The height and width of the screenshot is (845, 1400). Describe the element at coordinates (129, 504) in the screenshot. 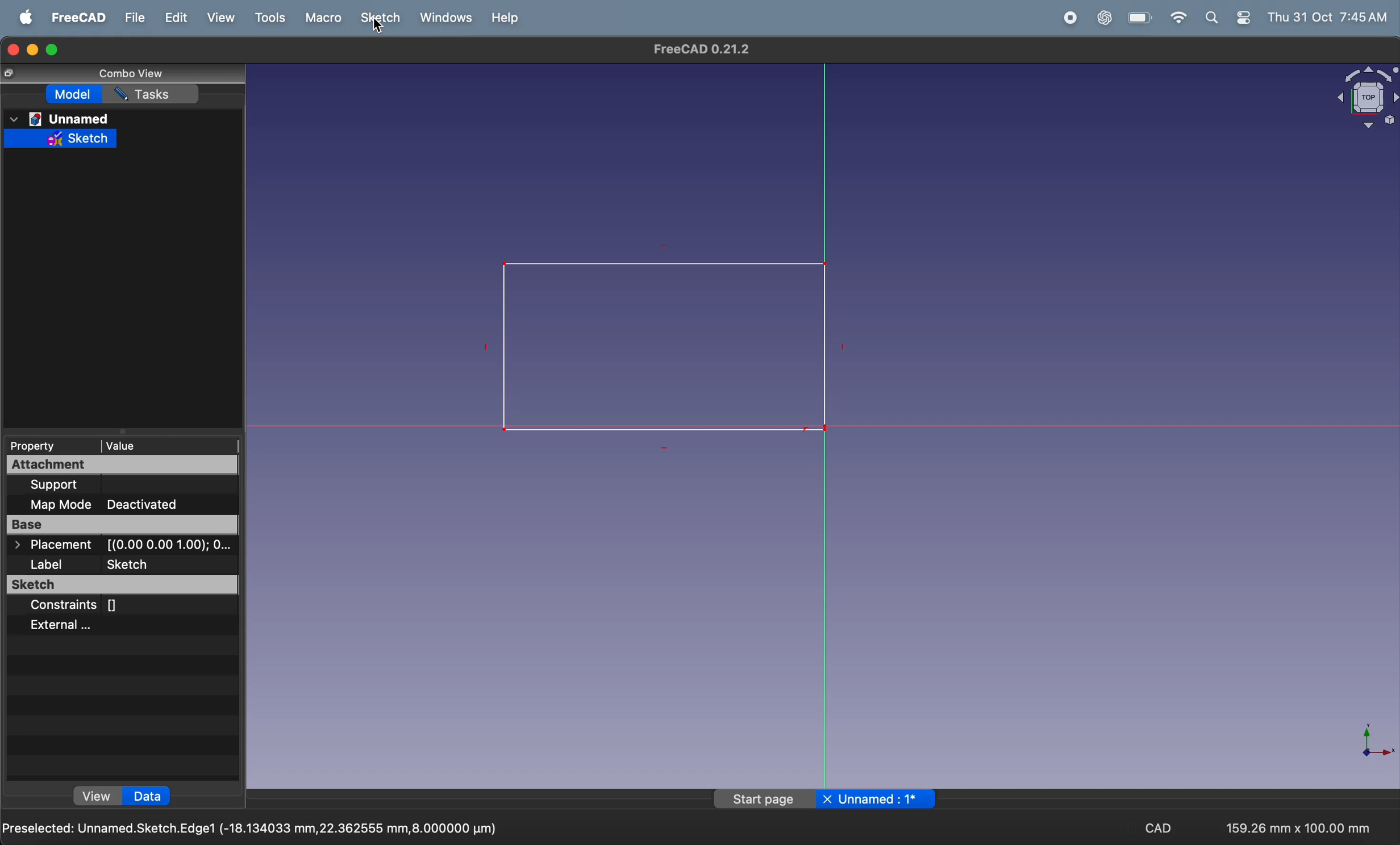

I see `map mode deactivated` at that location.